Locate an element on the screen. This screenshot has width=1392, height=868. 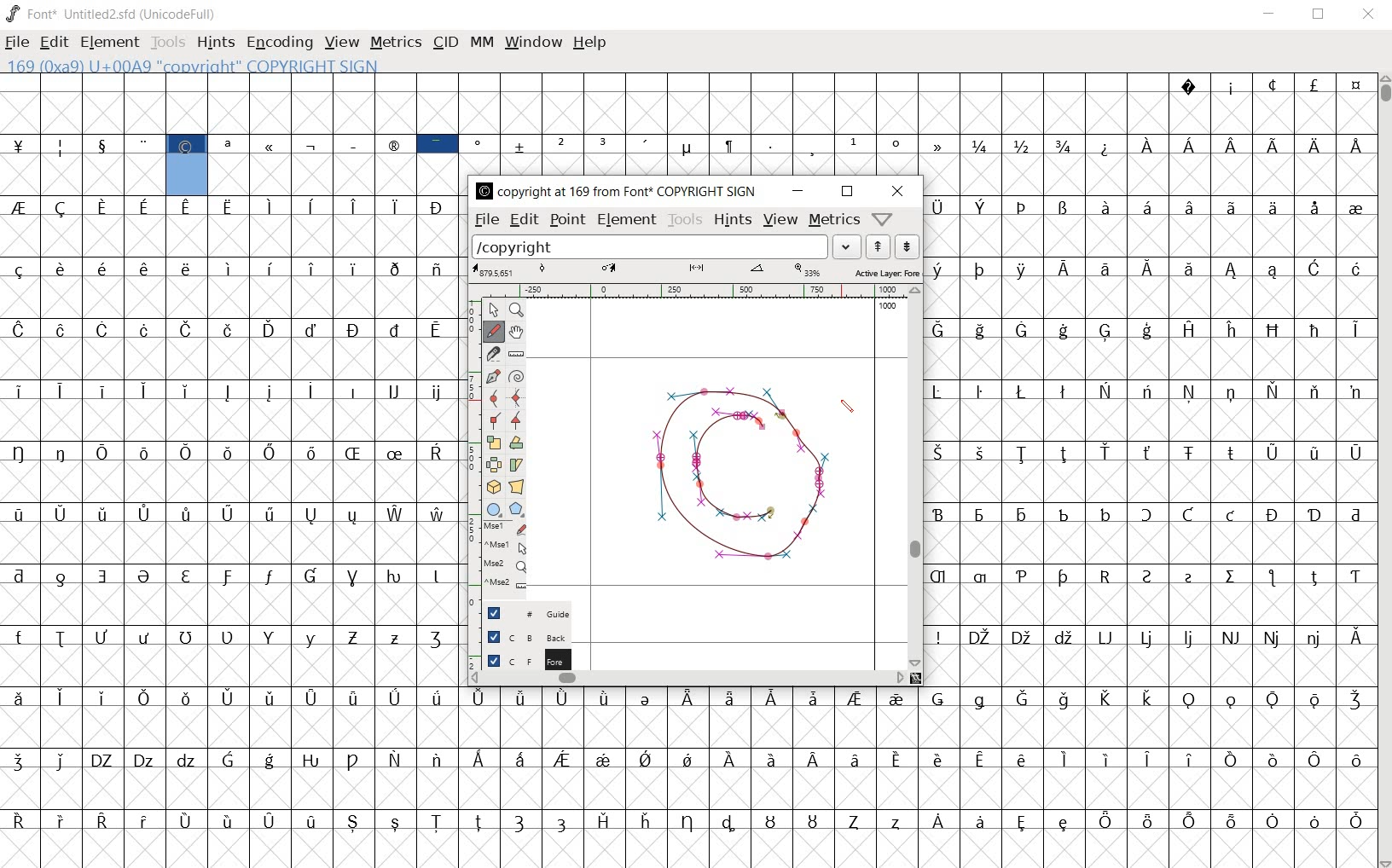
add a curve point always either horizontal or vertical is located at coordinates (519, 398).